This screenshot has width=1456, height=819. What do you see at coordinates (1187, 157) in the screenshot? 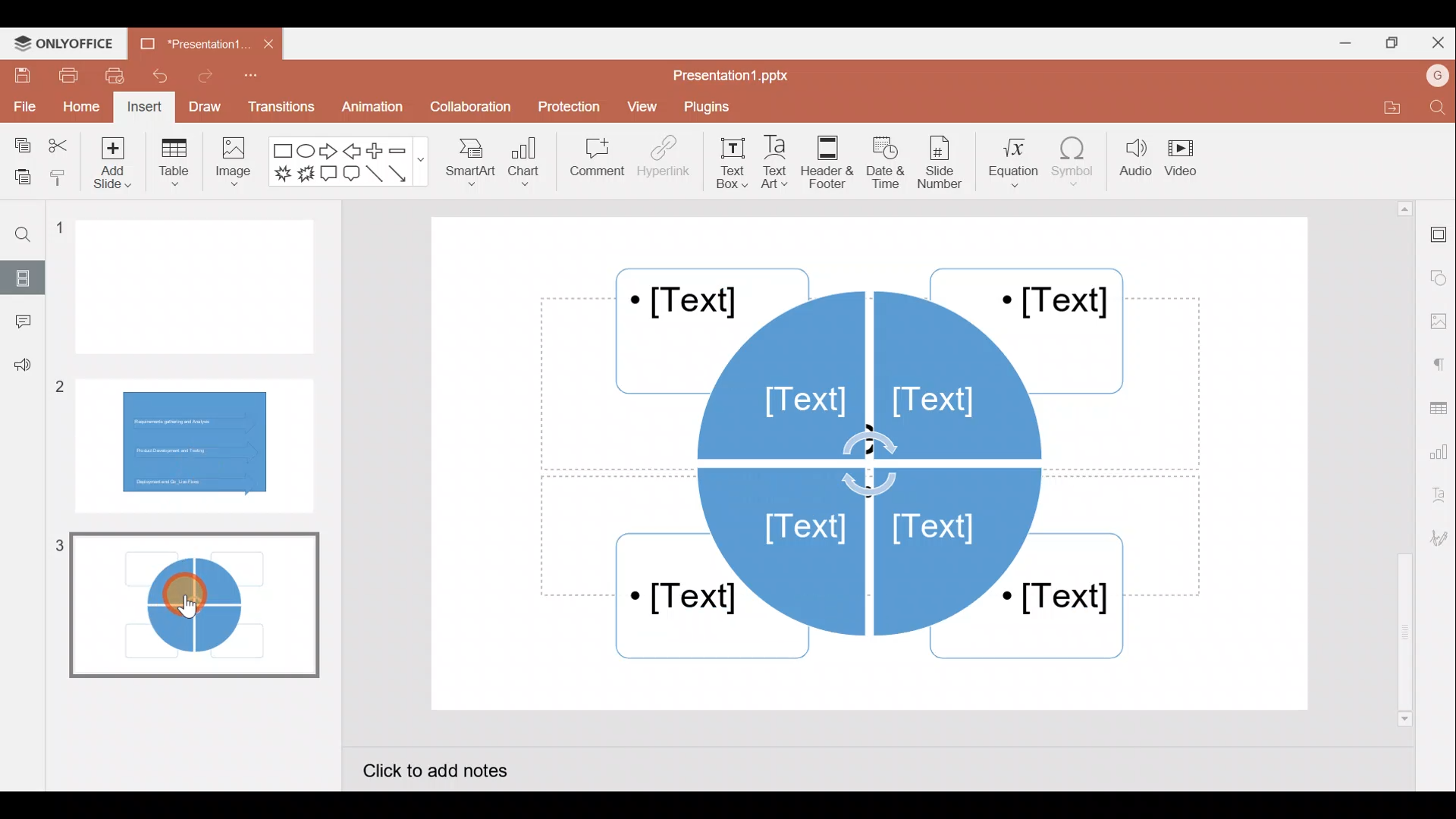
I see `Video` at bounding box center [1187, 157].